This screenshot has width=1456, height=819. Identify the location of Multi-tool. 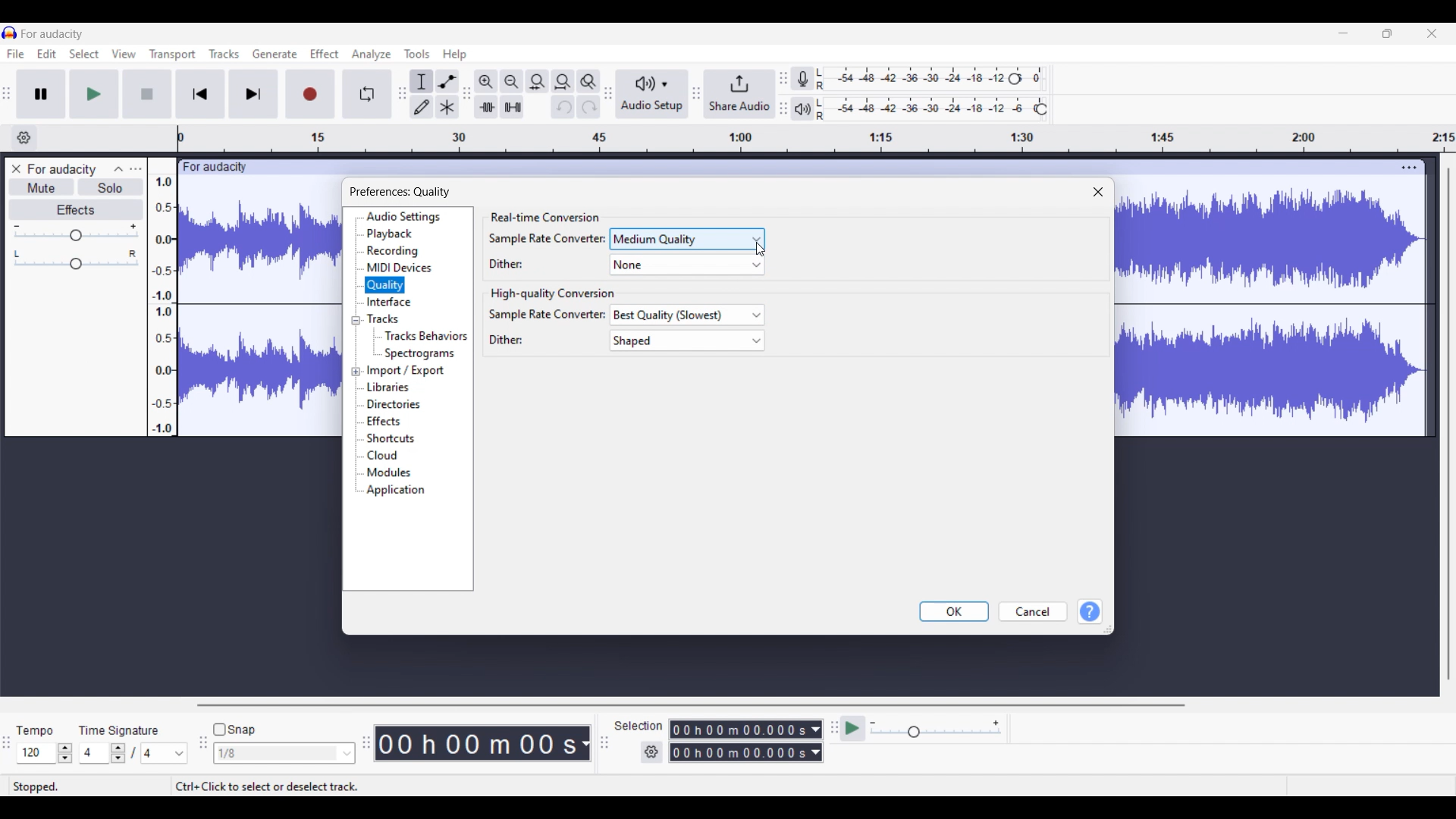
(447, 107).